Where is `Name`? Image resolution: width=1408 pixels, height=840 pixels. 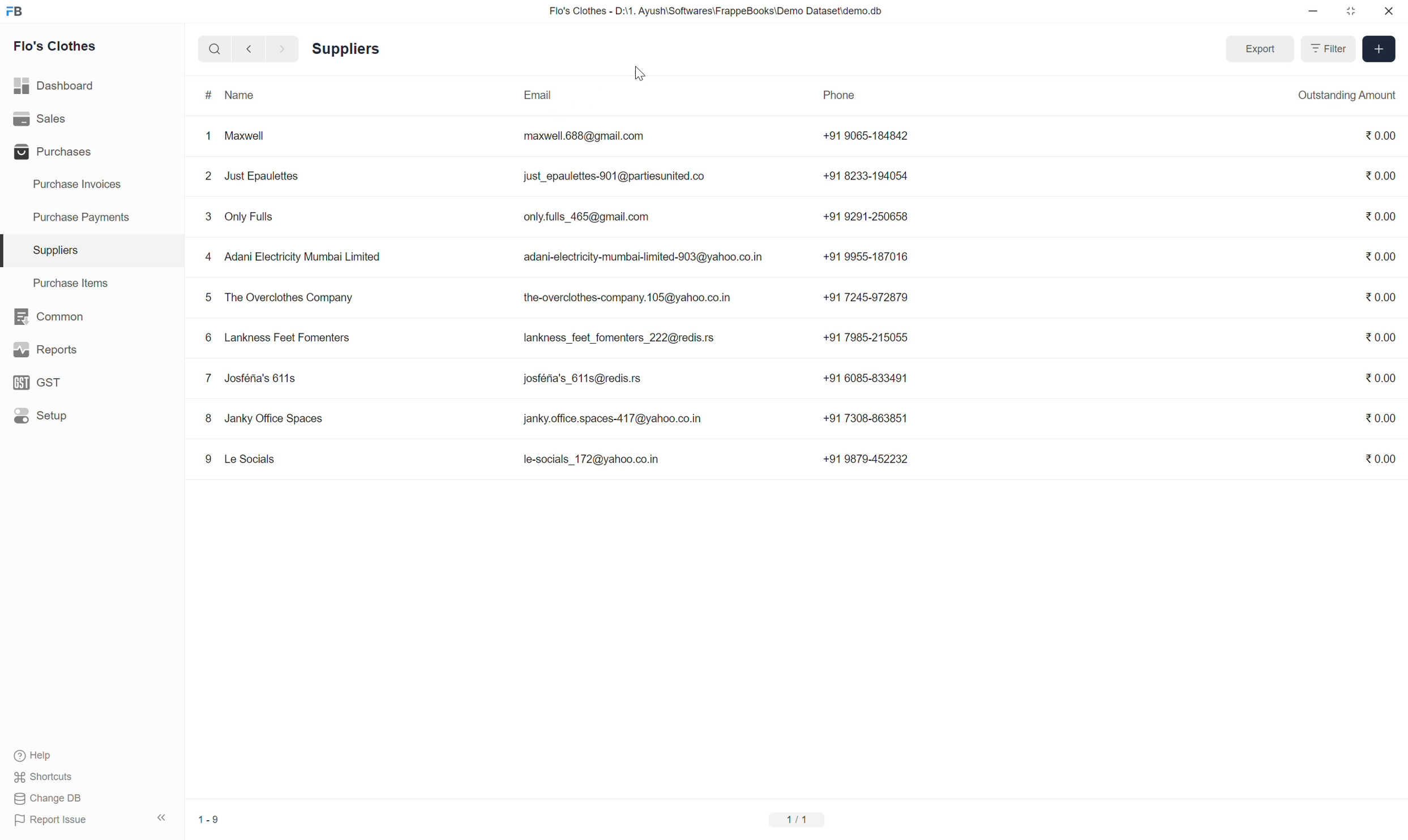 Name is located at coordinates (239, 95).